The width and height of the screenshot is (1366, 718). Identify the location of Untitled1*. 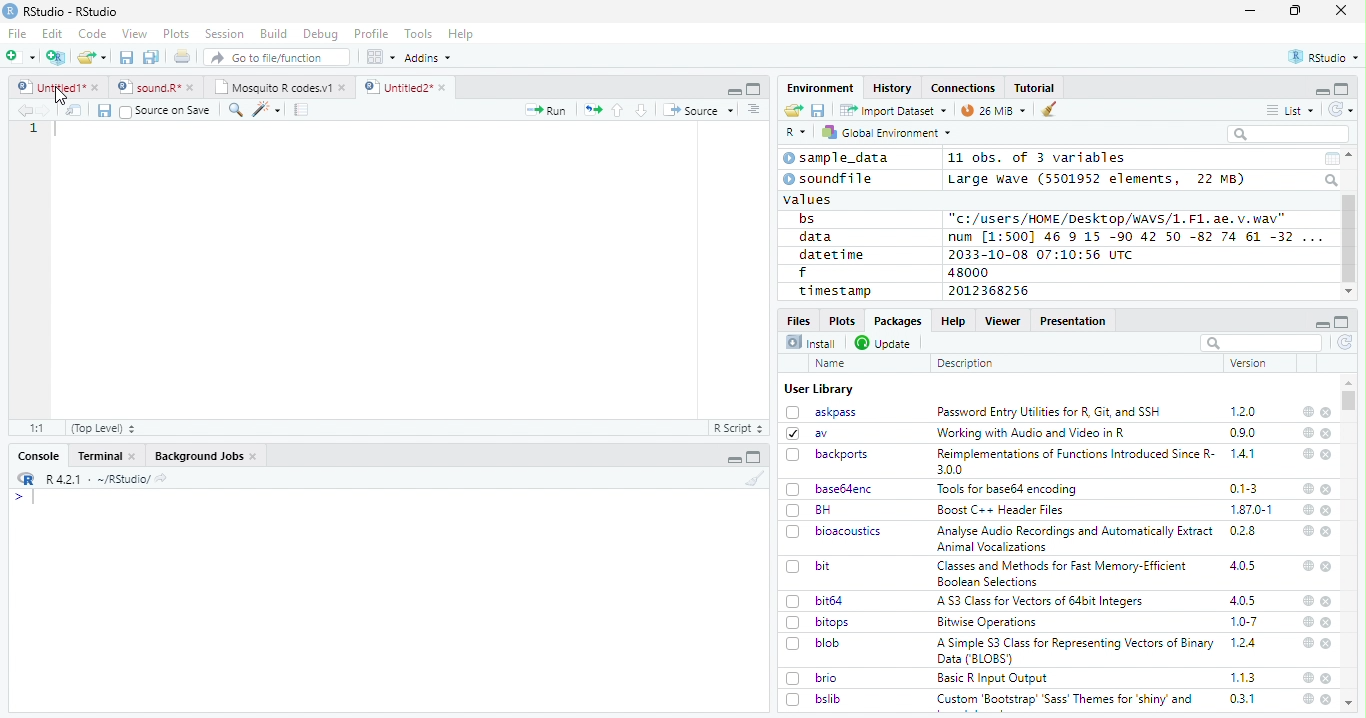
(57, 88).